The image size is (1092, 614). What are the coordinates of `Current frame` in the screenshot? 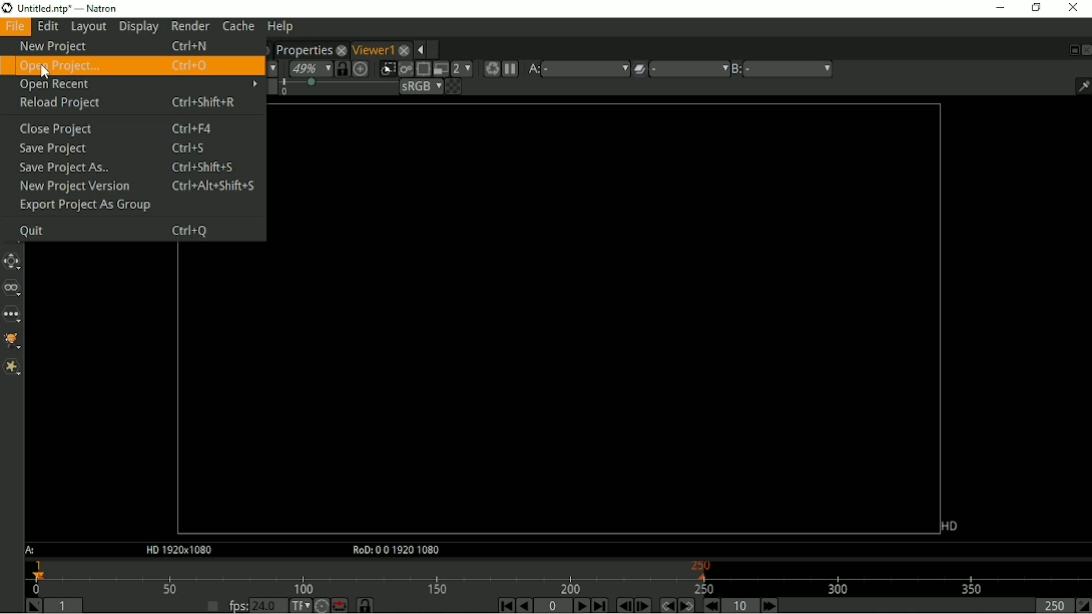 It's located at (554, 606).